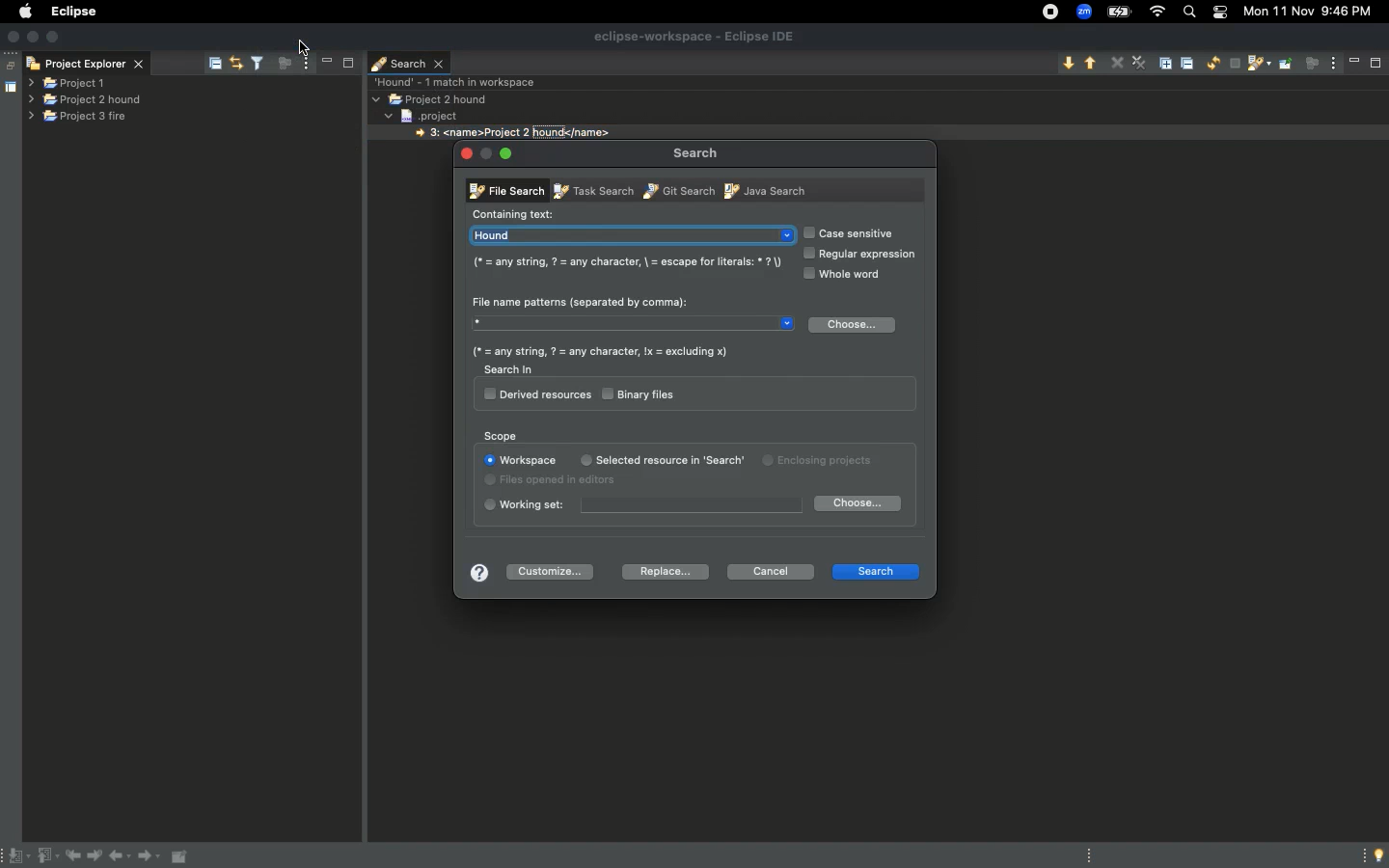  Describe the element at coordinates (1374, 855) in the screenshot. I see `Tip of the day` at that location.